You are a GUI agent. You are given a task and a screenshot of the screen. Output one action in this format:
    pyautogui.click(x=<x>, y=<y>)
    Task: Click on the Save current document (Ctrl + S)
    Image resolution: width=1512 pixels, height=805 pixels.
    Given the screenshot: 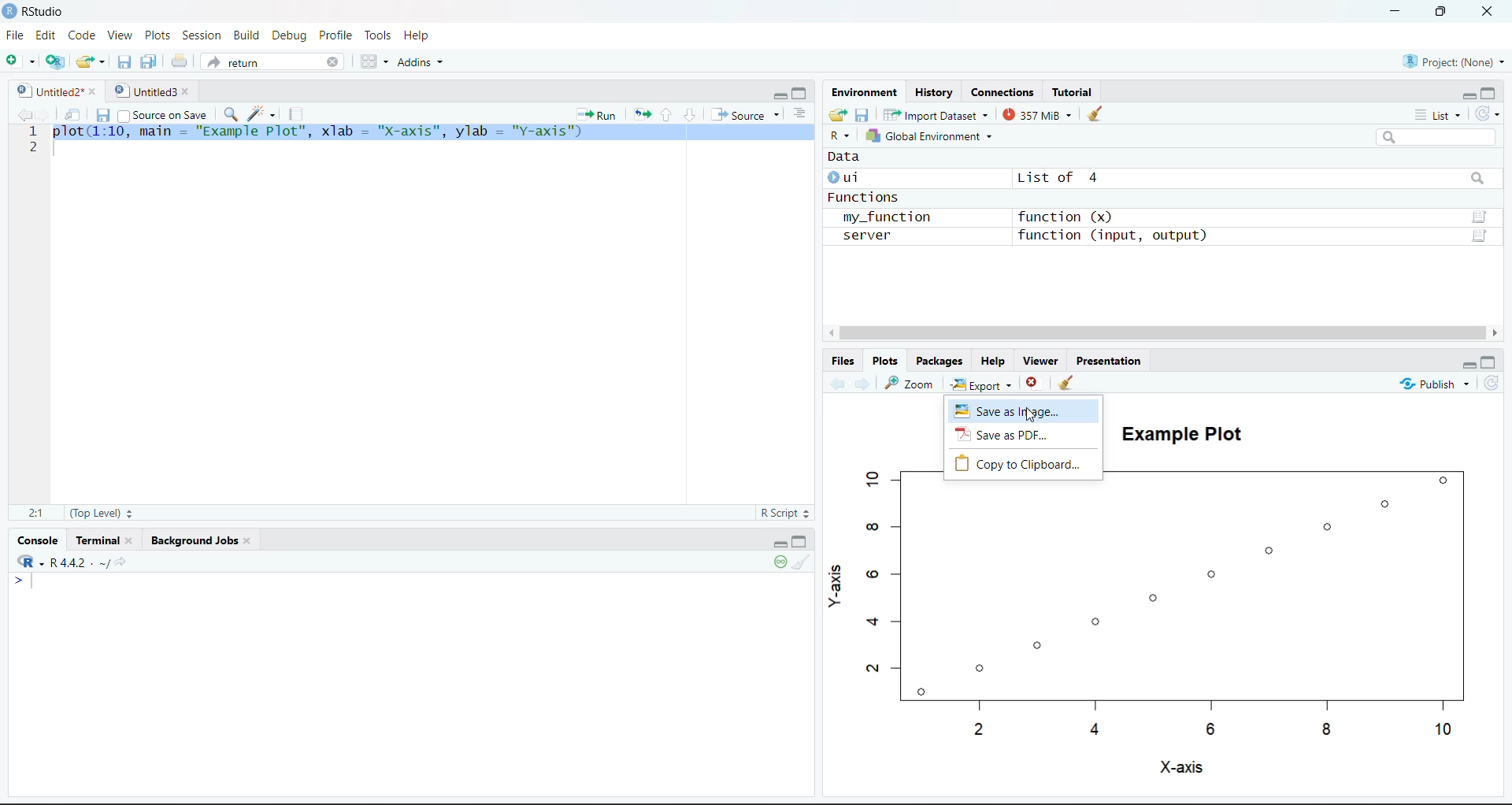 What is the action you would take?
    pyautogui.click(x=102, y=113)
    